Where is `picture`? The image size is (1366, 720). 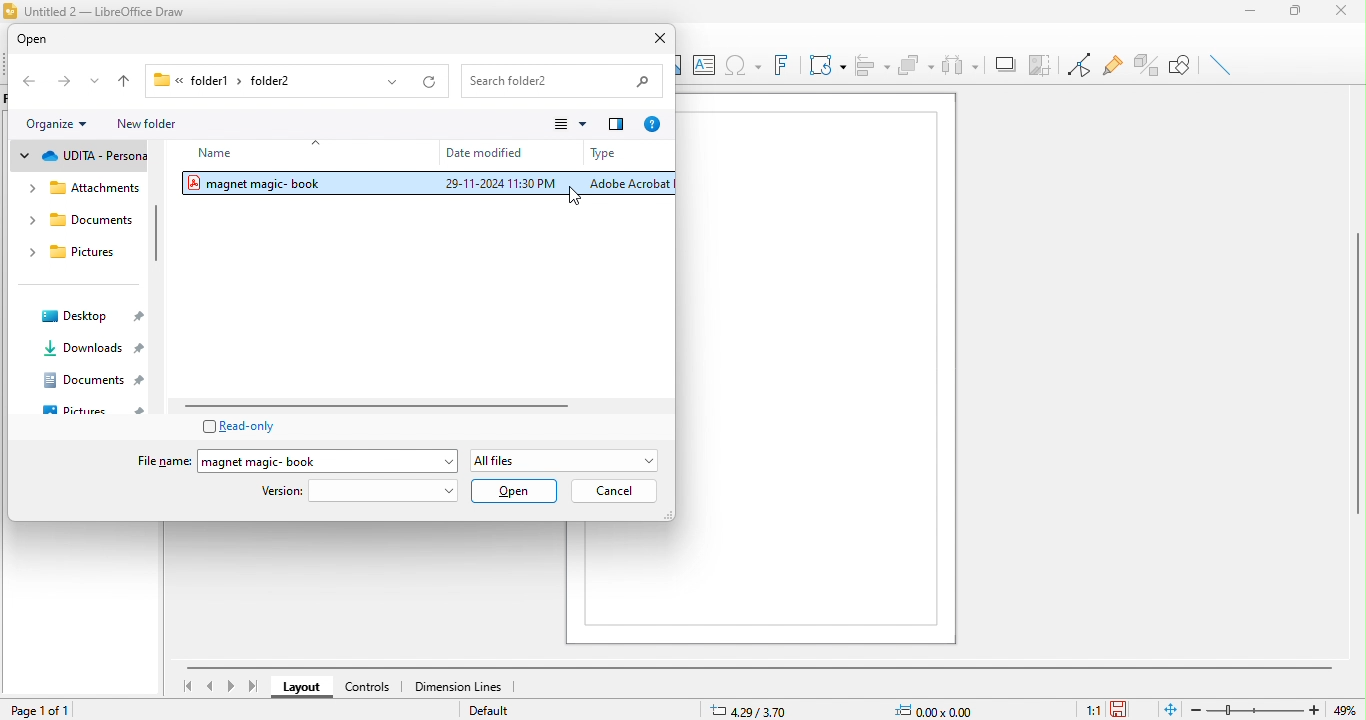 picture is located at coordinates (94, 408).